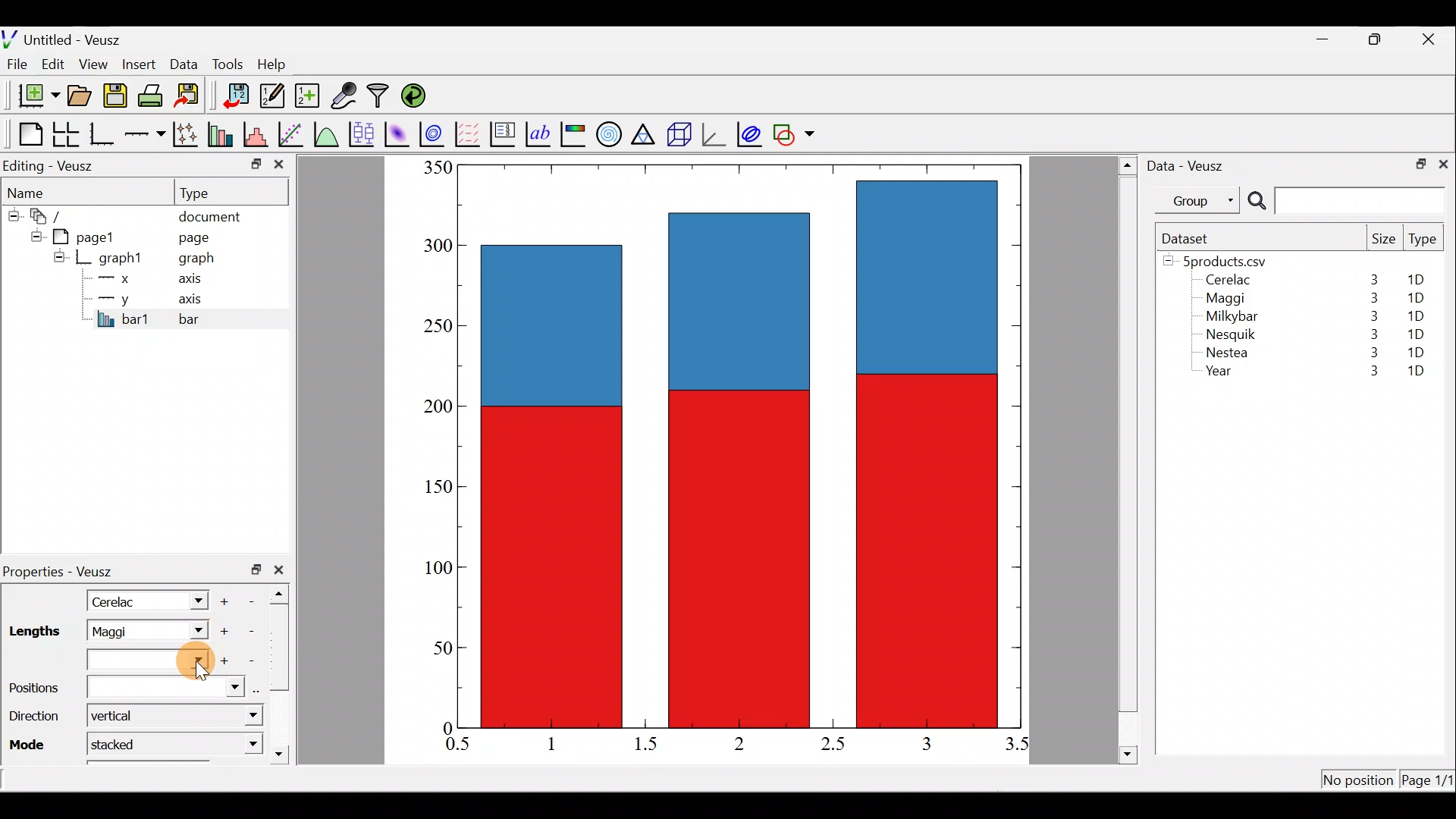 This screenshot has height=819, width=1456. Describe the element at coordinates (1429, 783) in the screenshot. I see `Page 1/11` at that location.